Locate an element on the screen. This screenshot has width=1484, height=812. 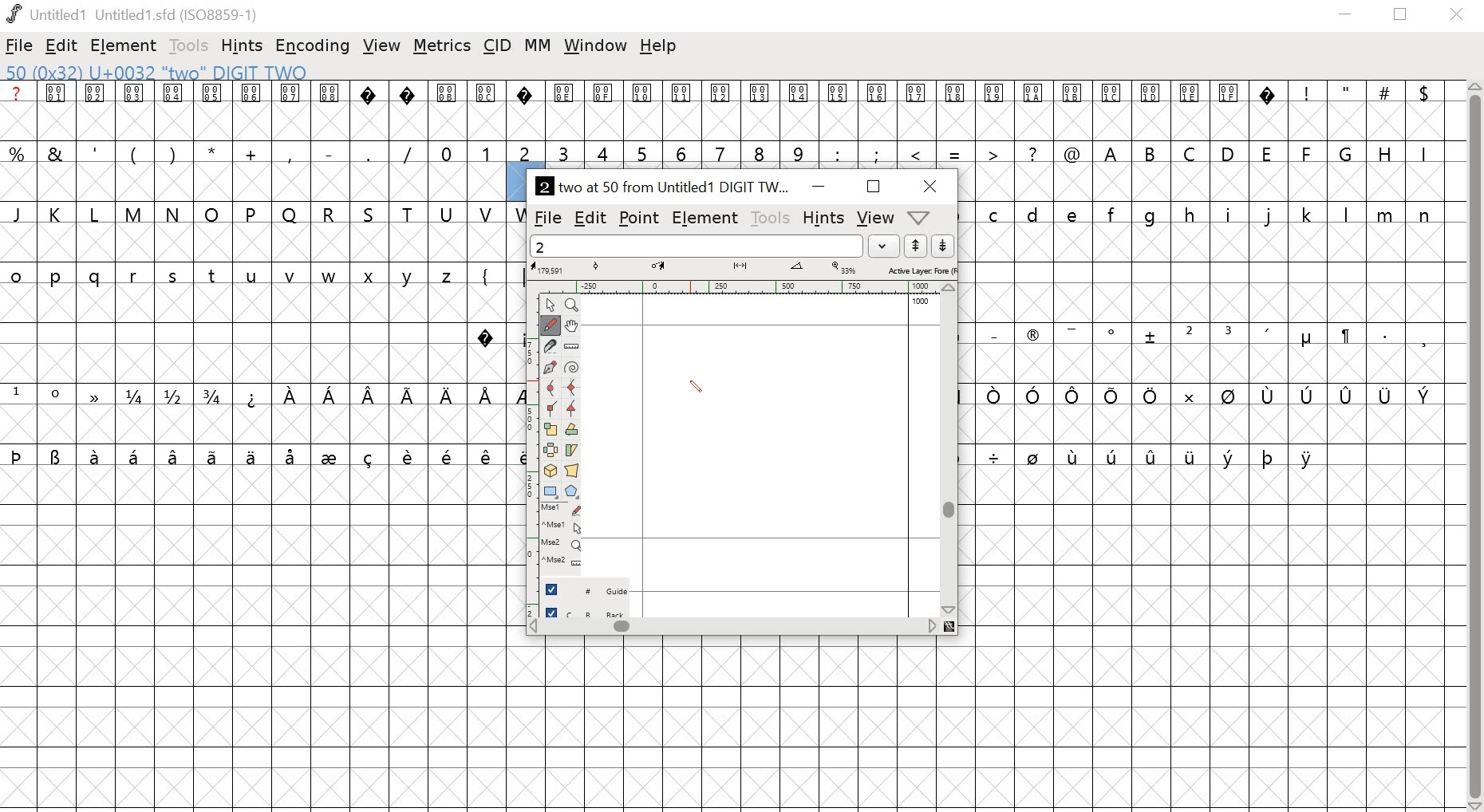
corner is located at coordinates (552, 409).